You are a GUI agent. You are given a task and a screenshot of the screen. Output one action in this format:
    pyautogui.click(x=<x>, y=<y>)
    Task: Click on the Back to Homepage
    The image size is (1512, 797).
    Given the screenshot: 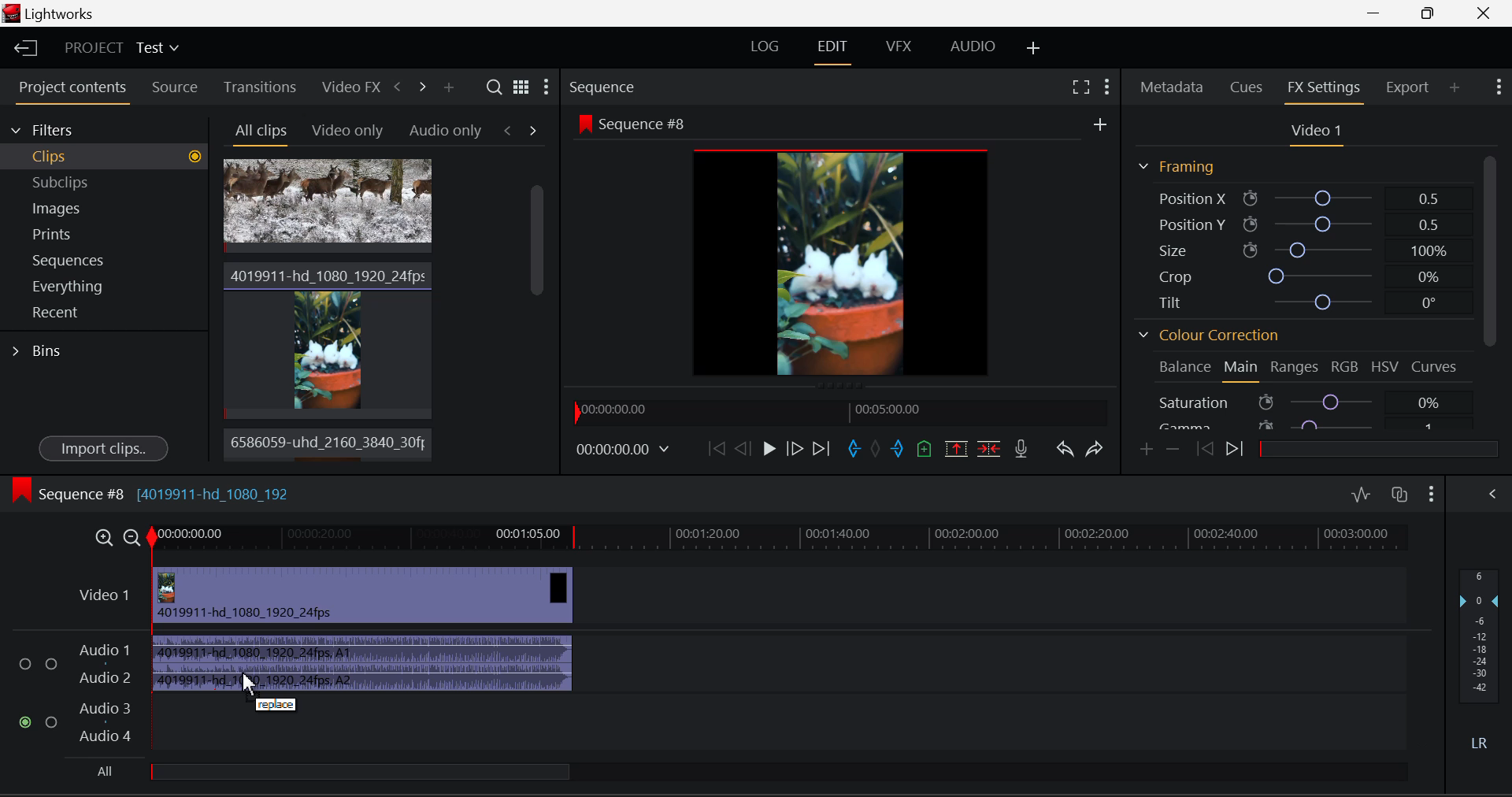 What is the action you would take?
    pyautogui.click(x=22, y=46)
    